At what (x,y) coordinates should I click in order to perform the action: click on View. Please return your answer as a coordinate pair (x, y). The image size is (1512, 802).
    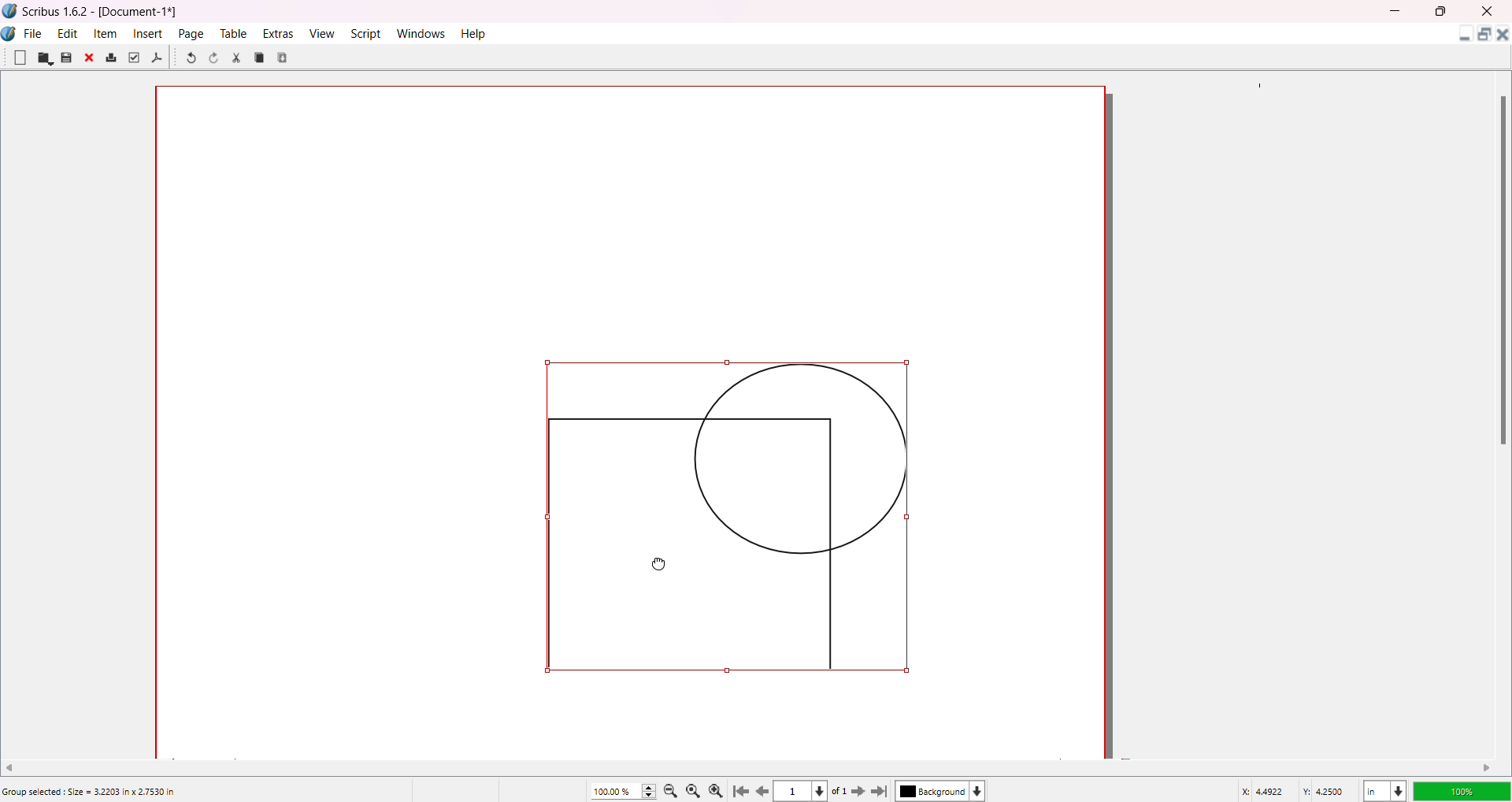
    Looking at the image, I should click on (321, 32).